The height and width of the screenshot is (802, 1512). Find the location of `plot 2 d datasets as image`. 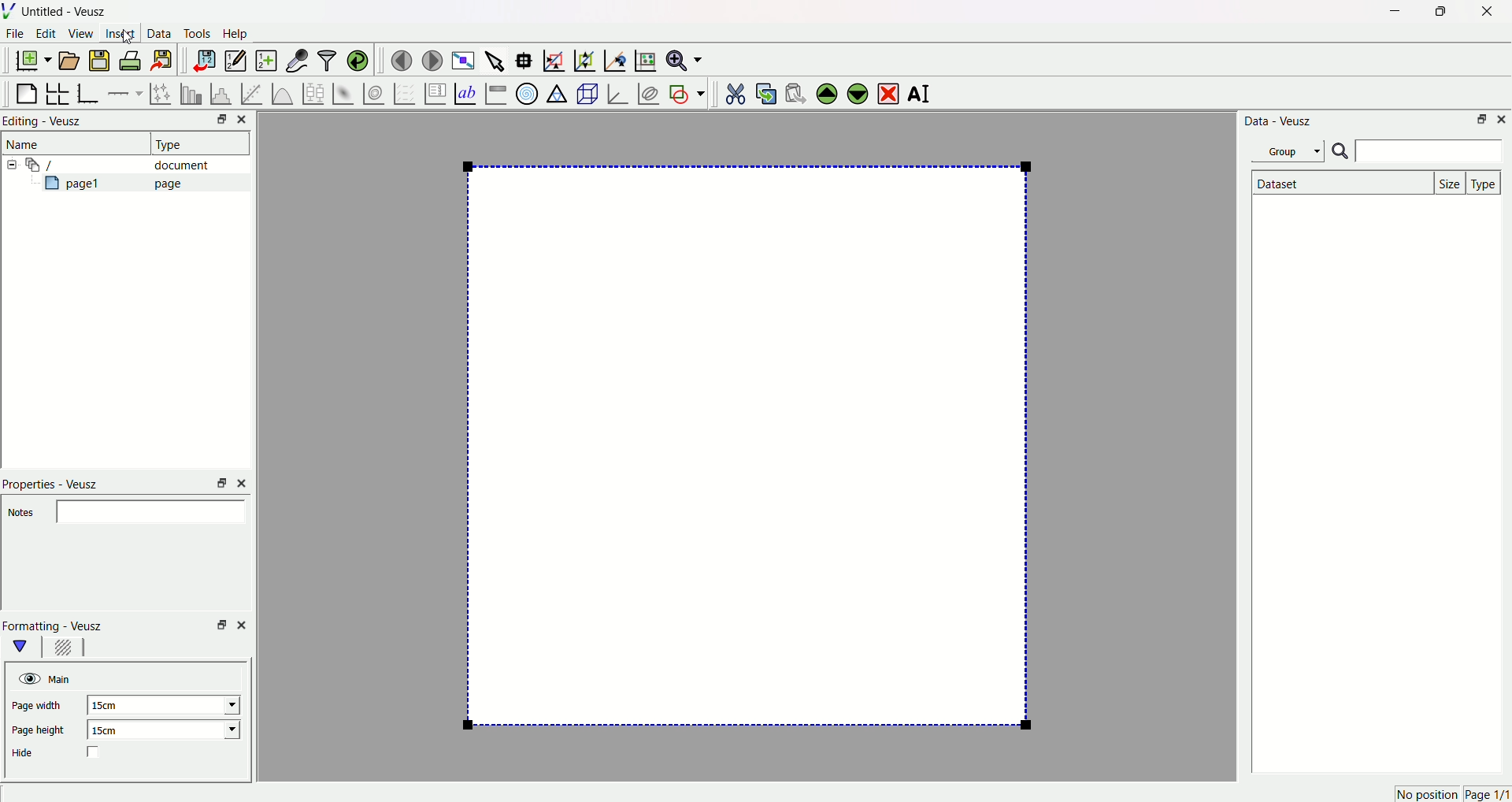

plot 2 d datasets as image is located at coordinates (343, 92).